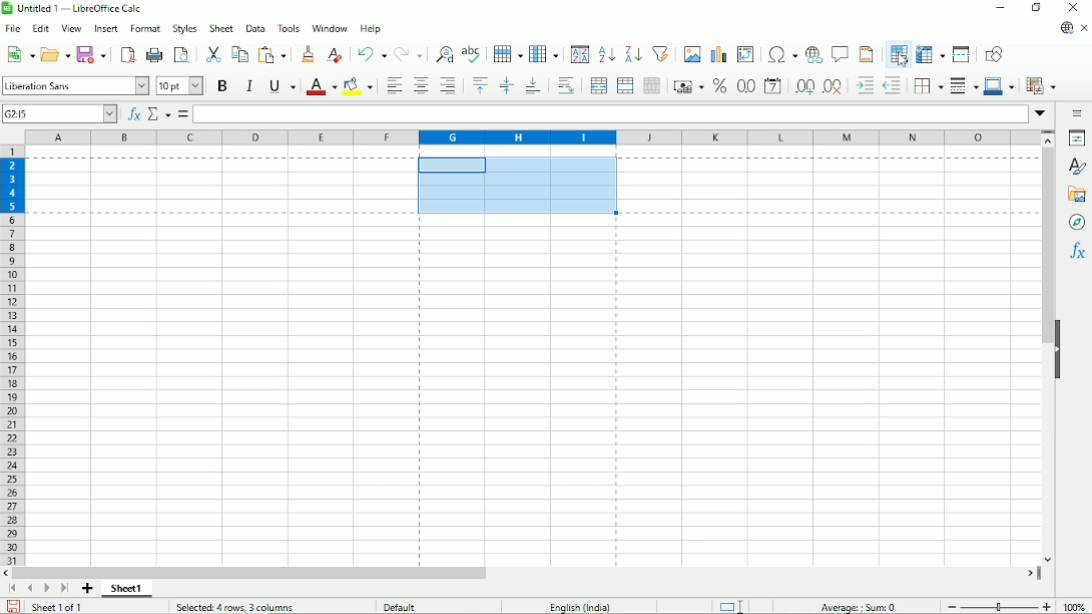 The image size is (1092, 614). Describe the element at coordinates (1042, 114) in the screenshot. I see `Expand formula bar` at that location.